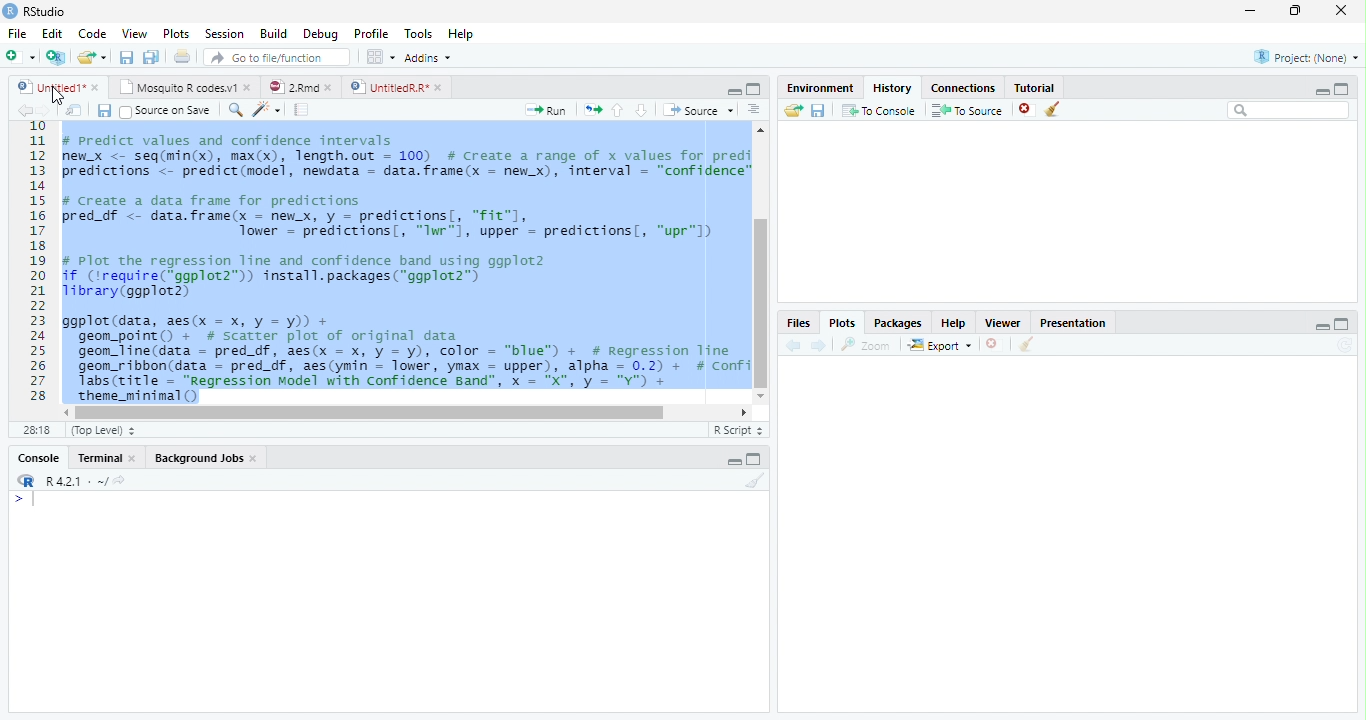 Image resolution: width=1366 pixels, height=720 pixels. I want to click on Minimize, so click(1252, 10).